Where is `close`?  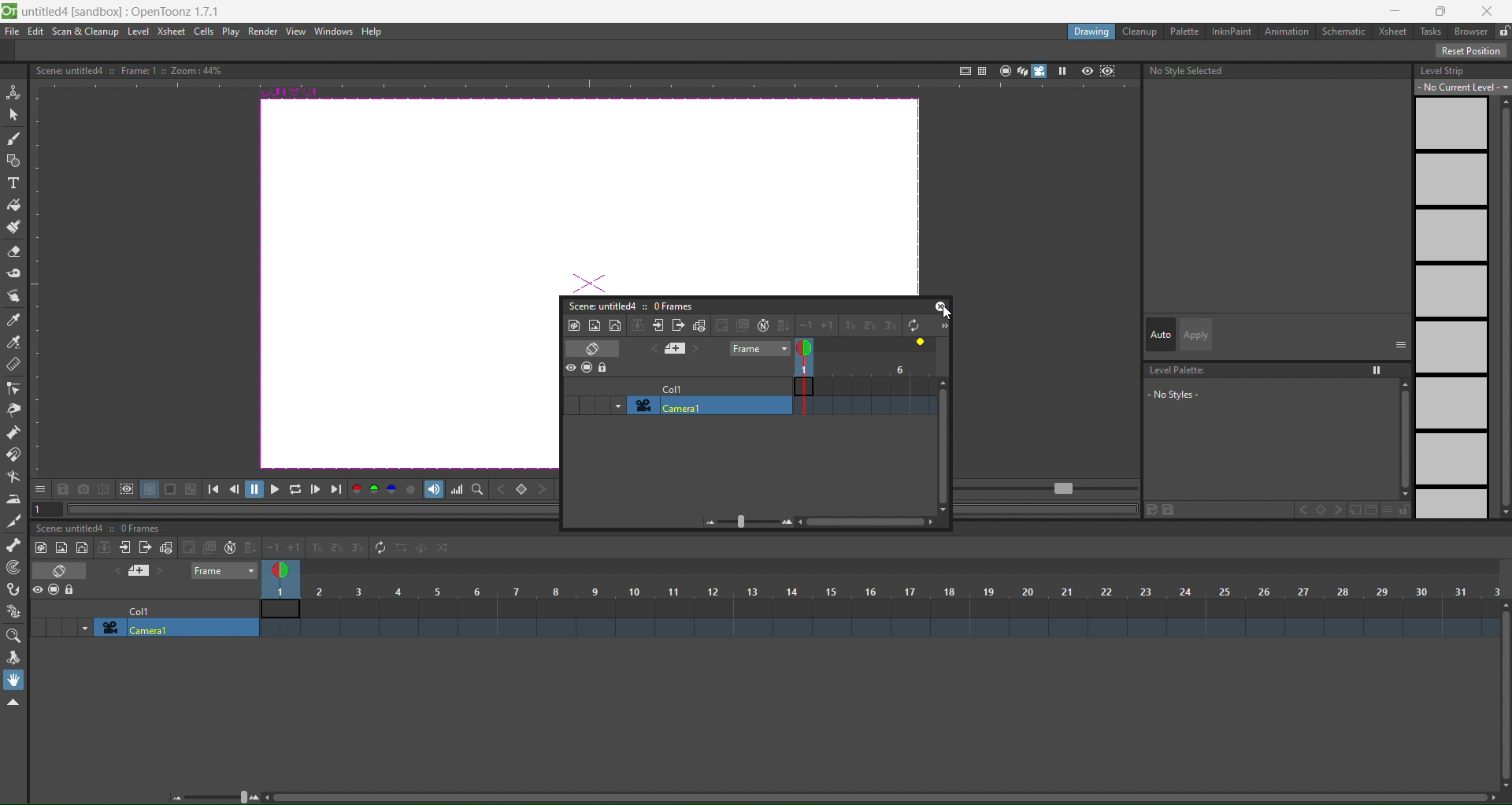
close is located at coordinates (1492, 9).